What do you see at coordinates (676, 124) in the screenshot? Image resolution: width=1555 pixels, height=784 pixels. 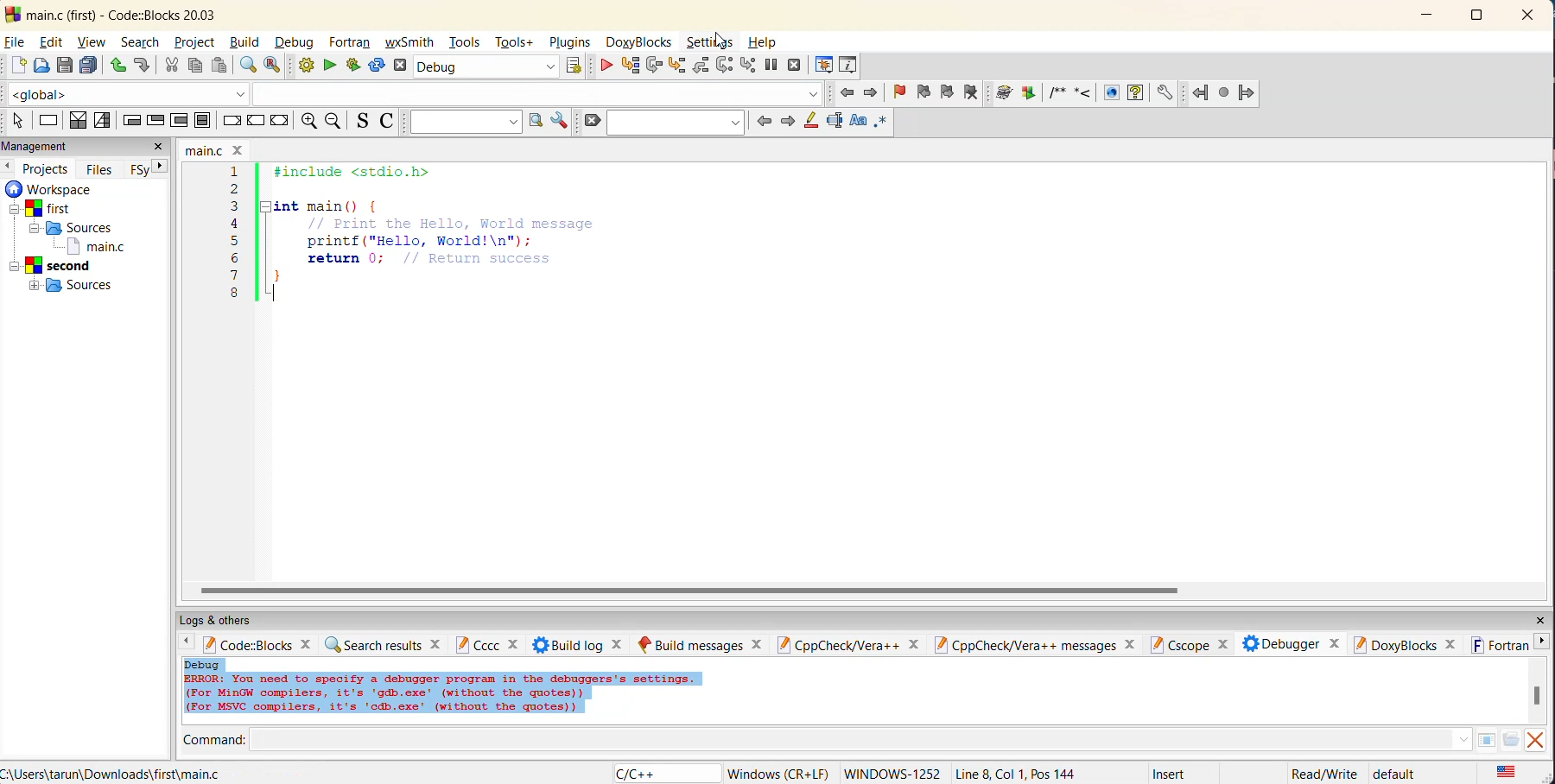 I see `search` at bounding box center [676, 124].